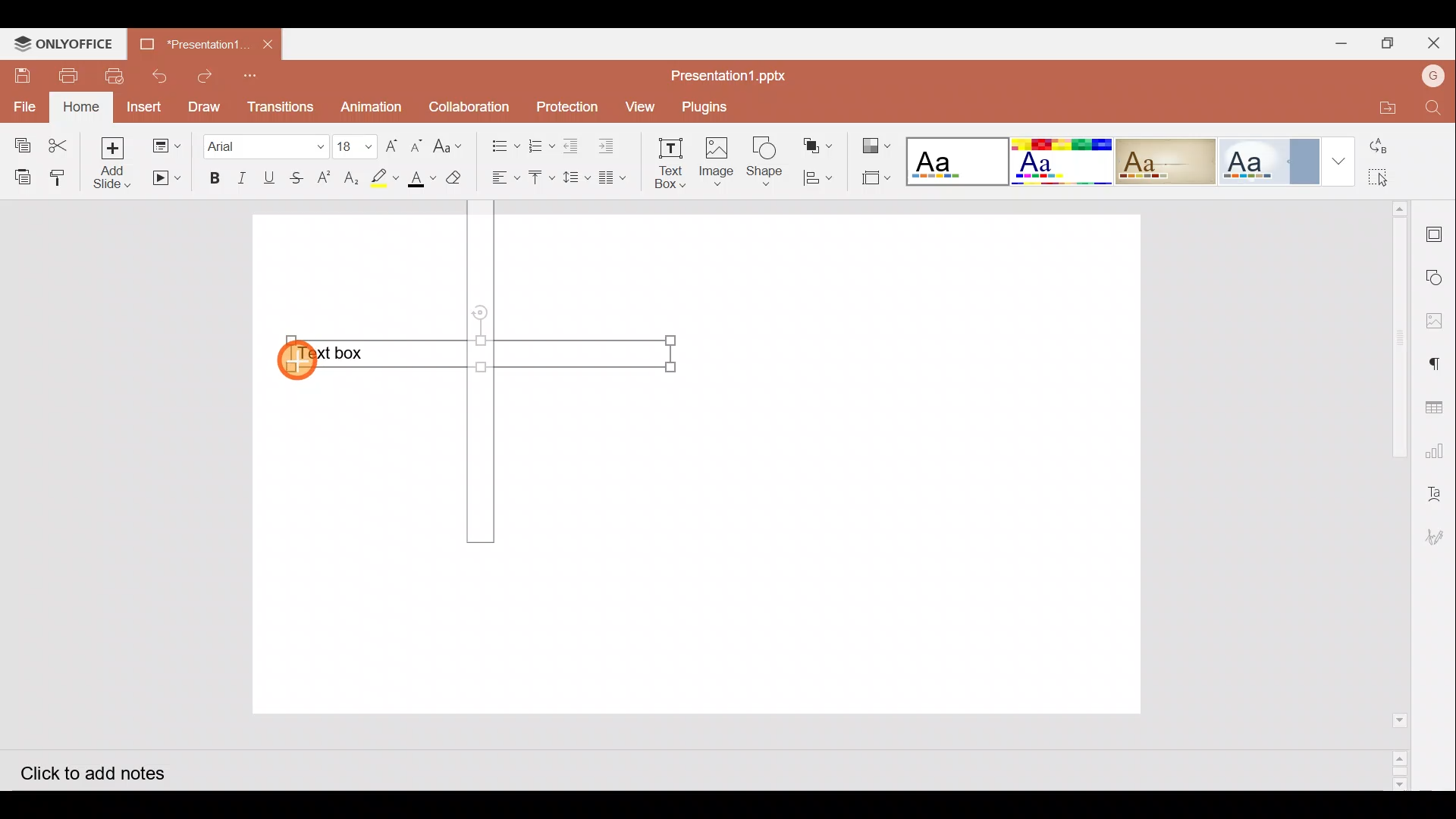  I want to click on Change color theme, so click(875, 145).